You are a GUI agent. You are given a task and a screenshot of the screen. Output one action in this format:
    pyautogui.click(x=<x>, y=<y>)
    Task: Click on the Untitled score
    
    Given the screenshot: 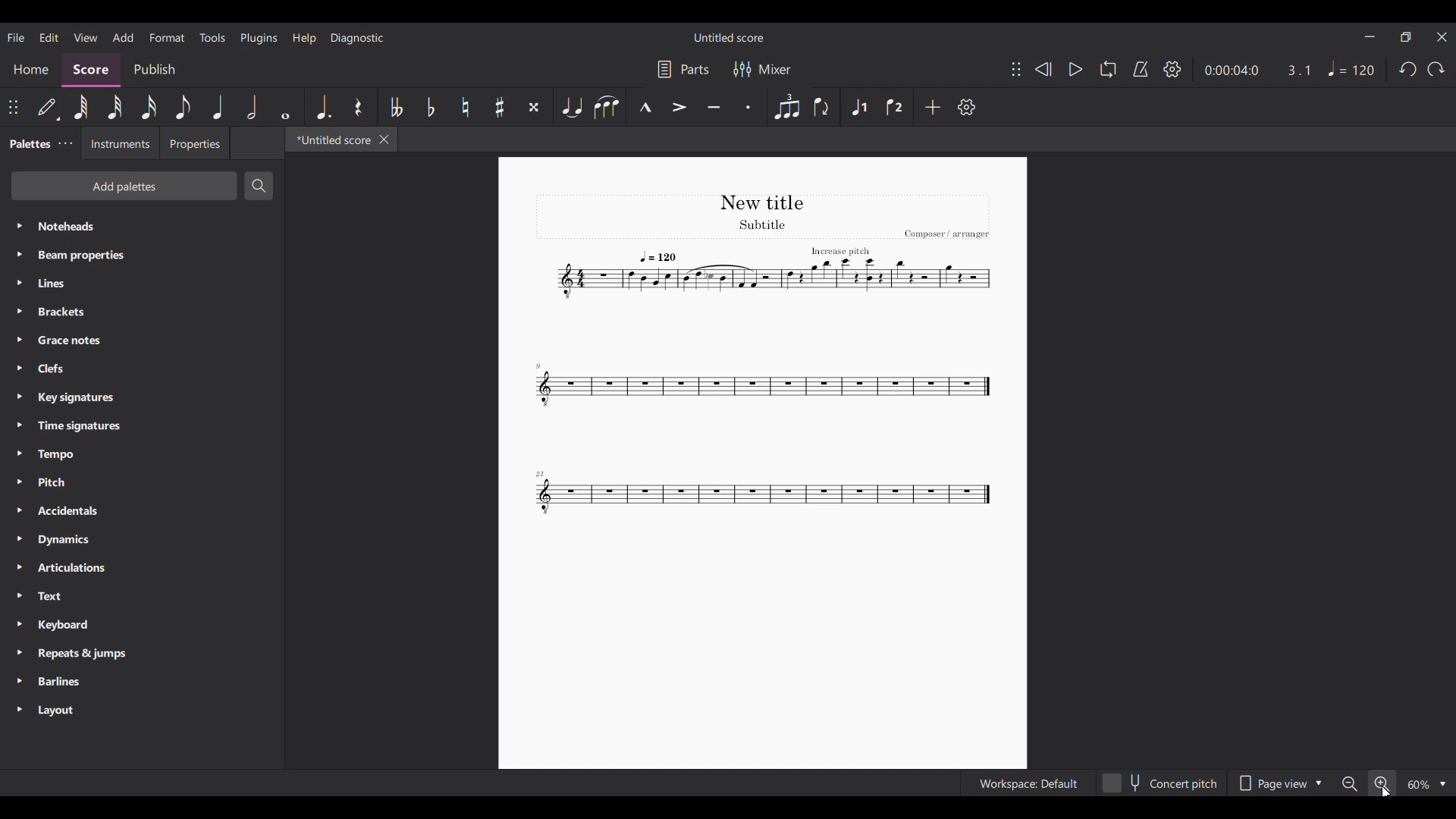 What is the action you would take?
    pyautogui.click(x=729, y=38)
    